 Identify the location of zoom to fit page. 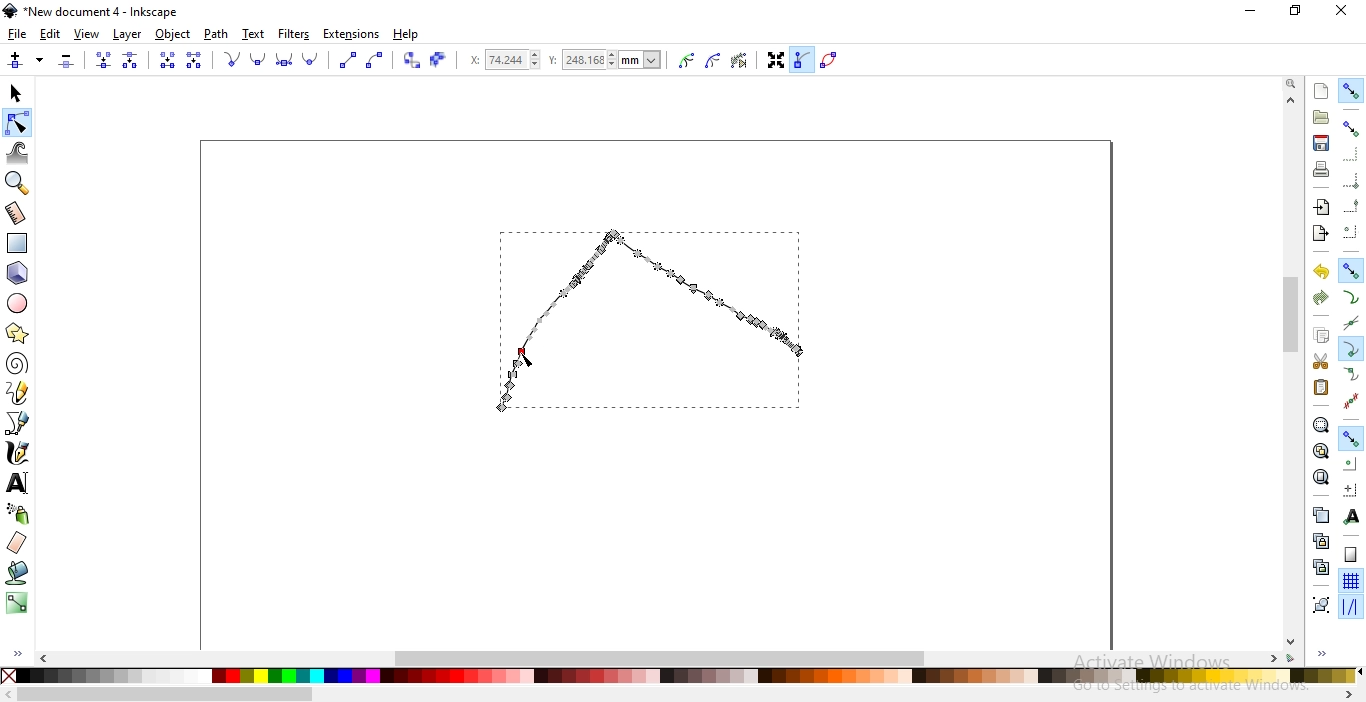
(1320, 477).